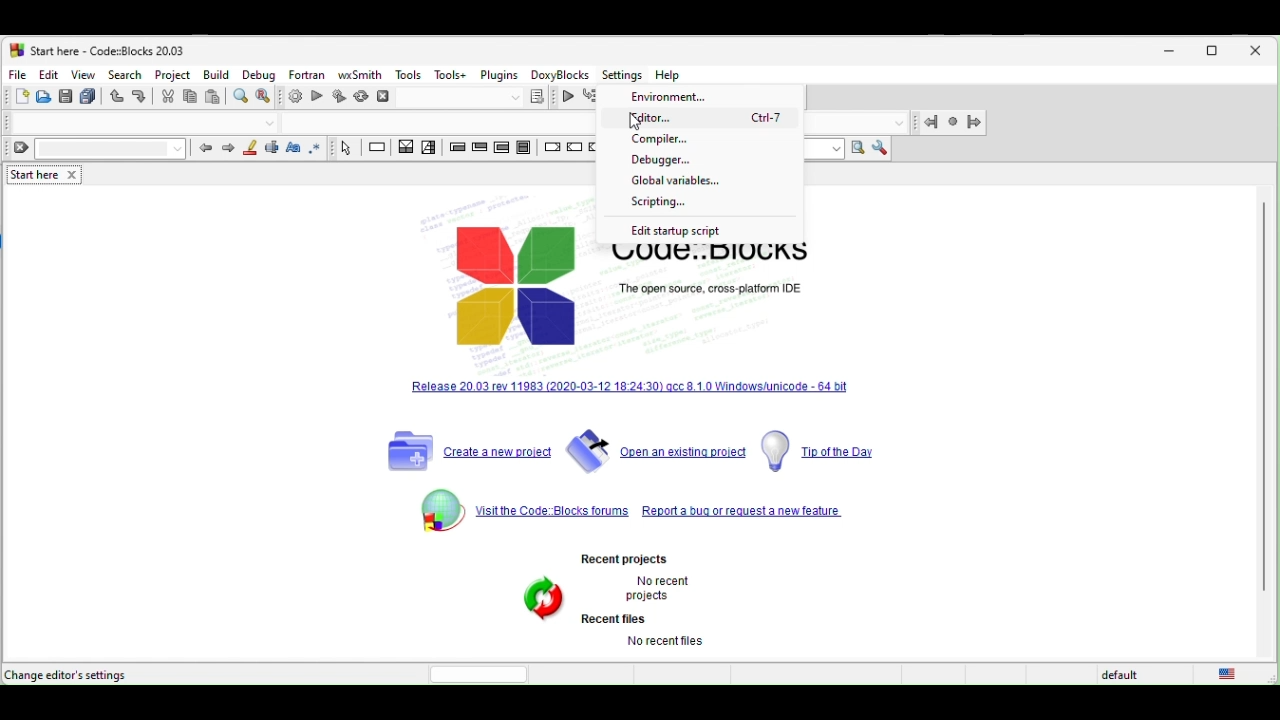 The image size is (1280, 720). Describe the element at coordinates (682, 181) in the screenshot. I see `global variables` at that location.